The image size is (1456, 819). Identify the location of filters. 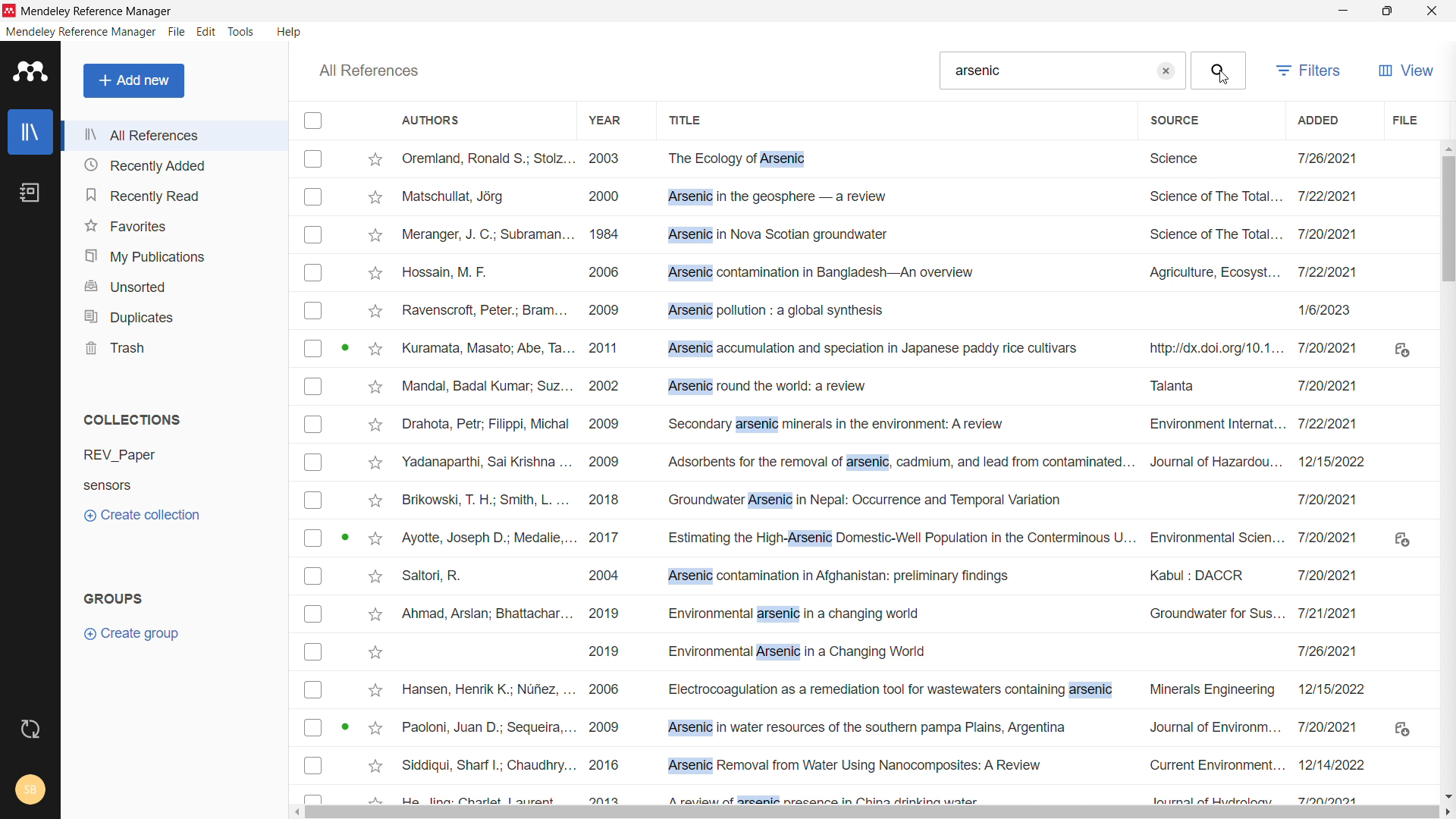
(1313, 68).